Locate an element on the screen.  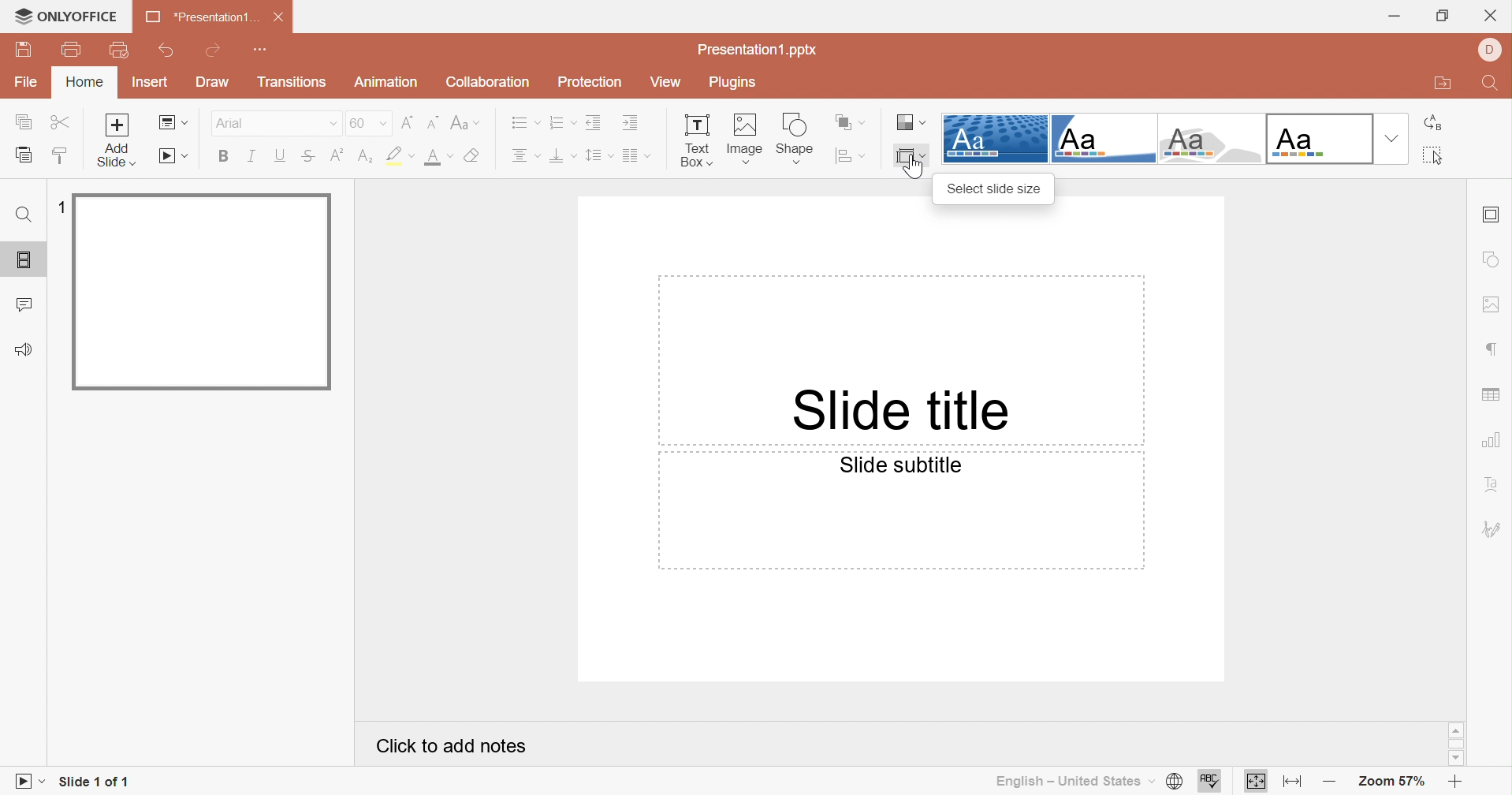
Home is located at coordinates (86, 82).